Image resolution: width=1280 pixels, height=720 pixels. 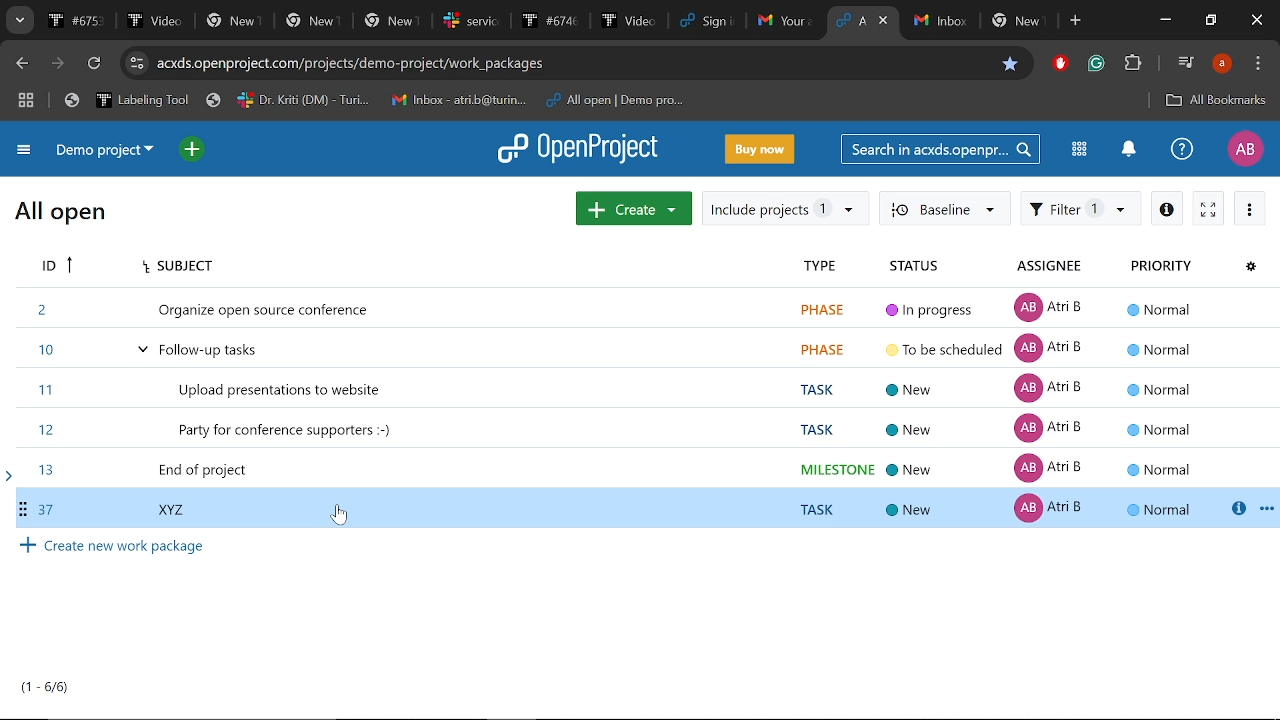 What do you see at coordinates (25, 153) in the screenshot?
I see `Expand project menu` at bounding box center [25, 153].